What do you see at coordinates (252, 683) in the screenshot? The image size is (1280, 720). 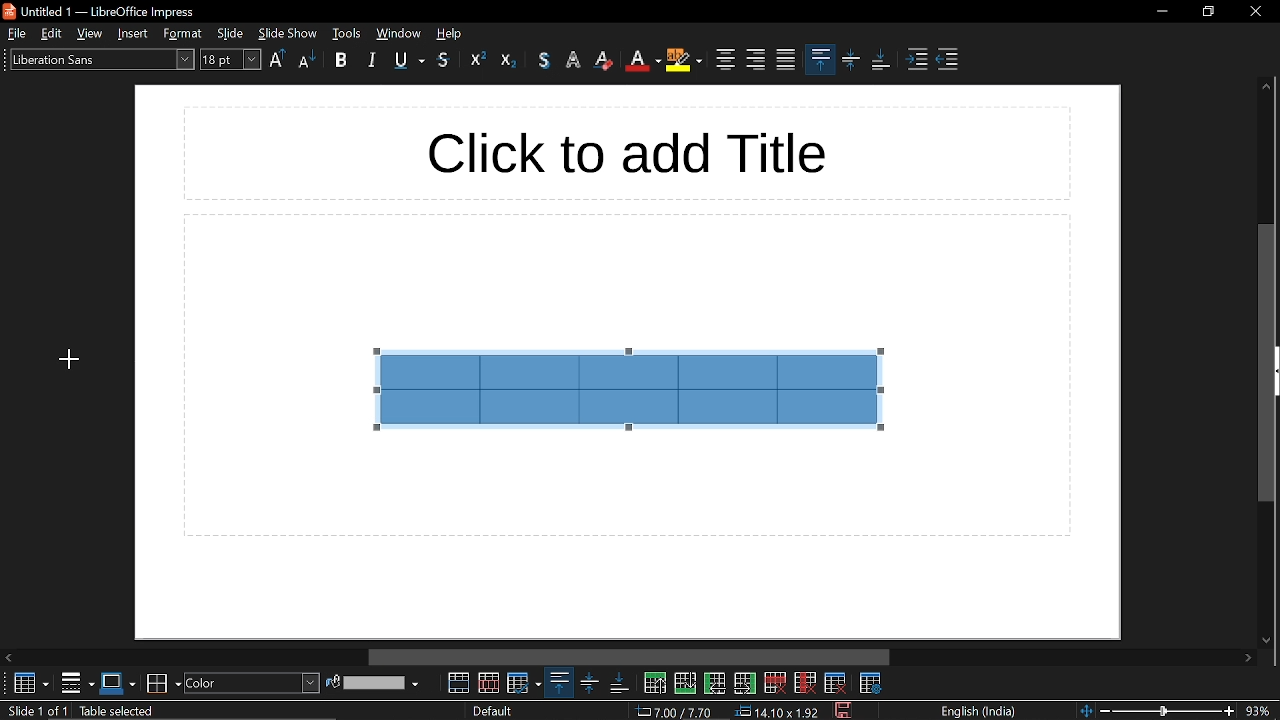 I see `fill style` at bounding box center [252, 683].